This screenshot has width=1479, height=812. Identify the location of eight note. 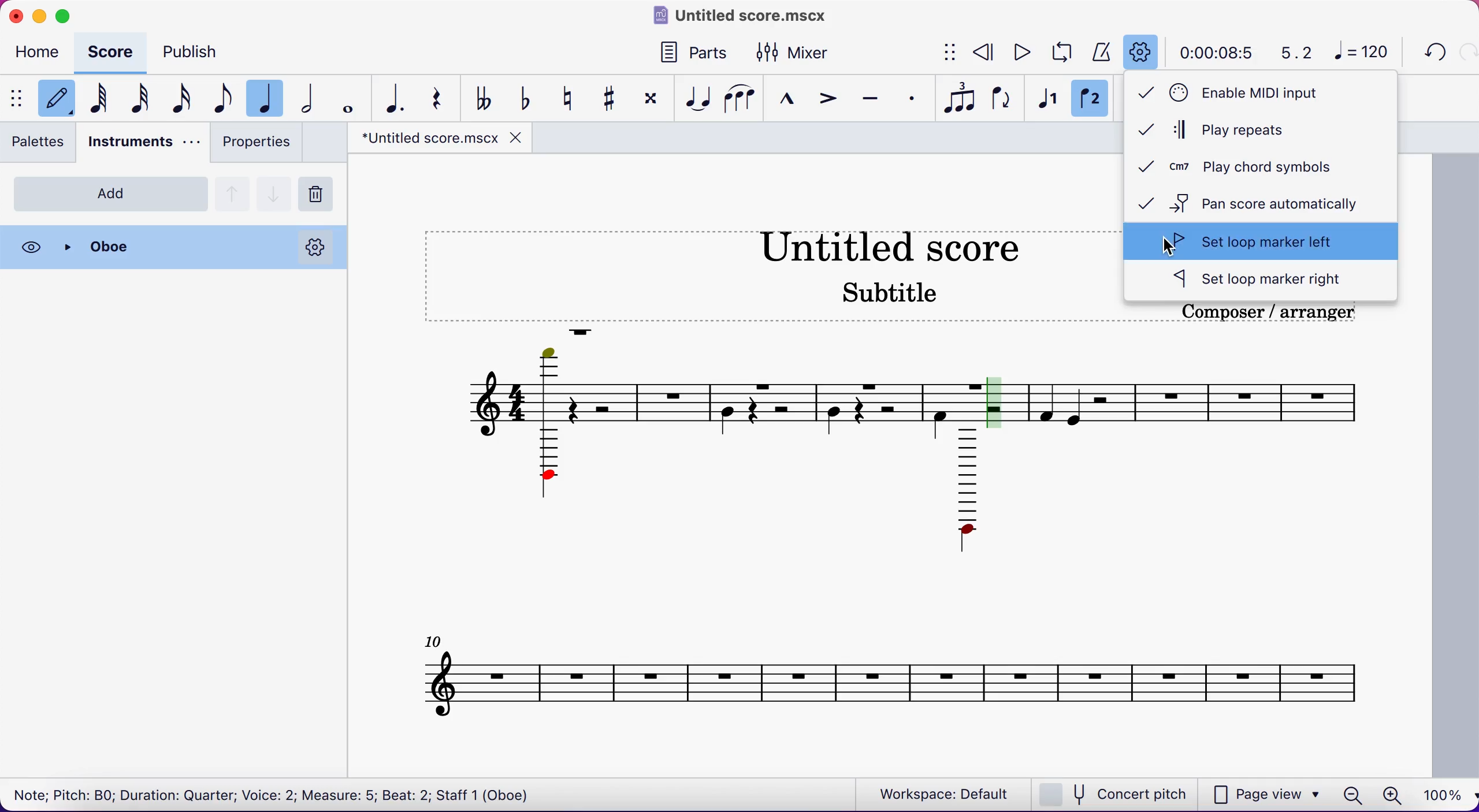
(221, 100).